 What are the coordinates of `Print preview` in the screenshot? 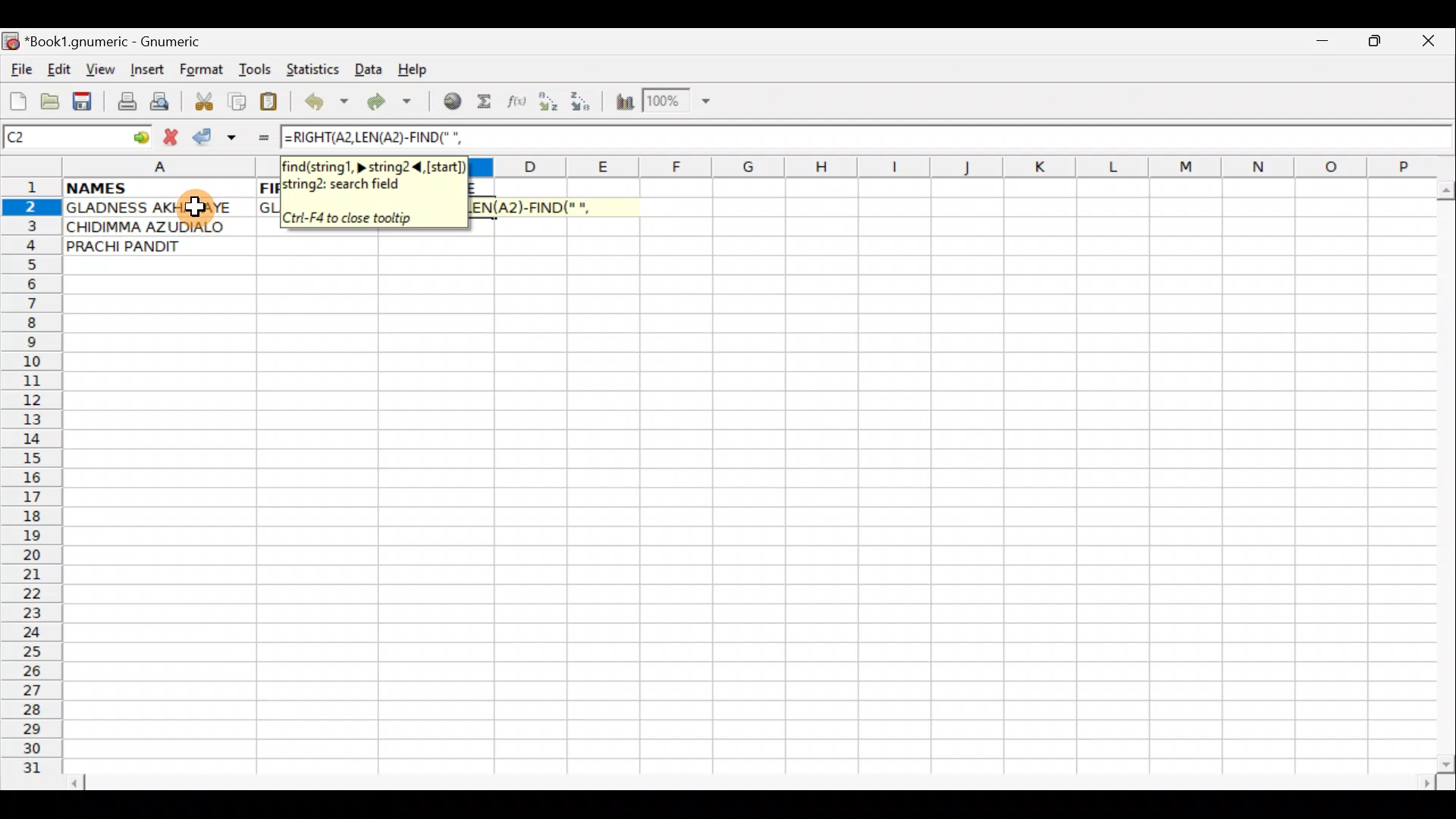 It's located at (160, 105).